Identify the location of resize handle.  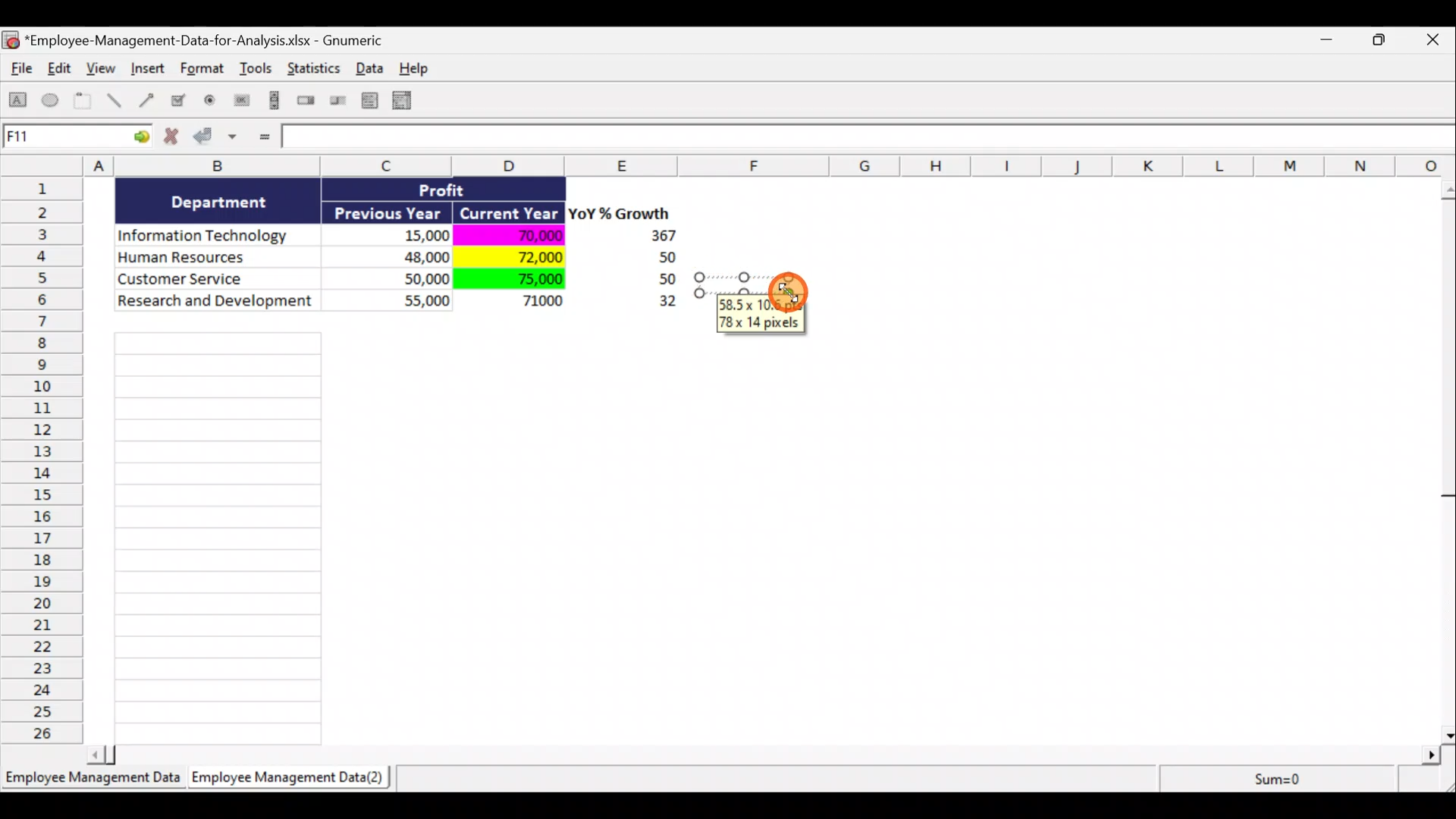
(752, 284).